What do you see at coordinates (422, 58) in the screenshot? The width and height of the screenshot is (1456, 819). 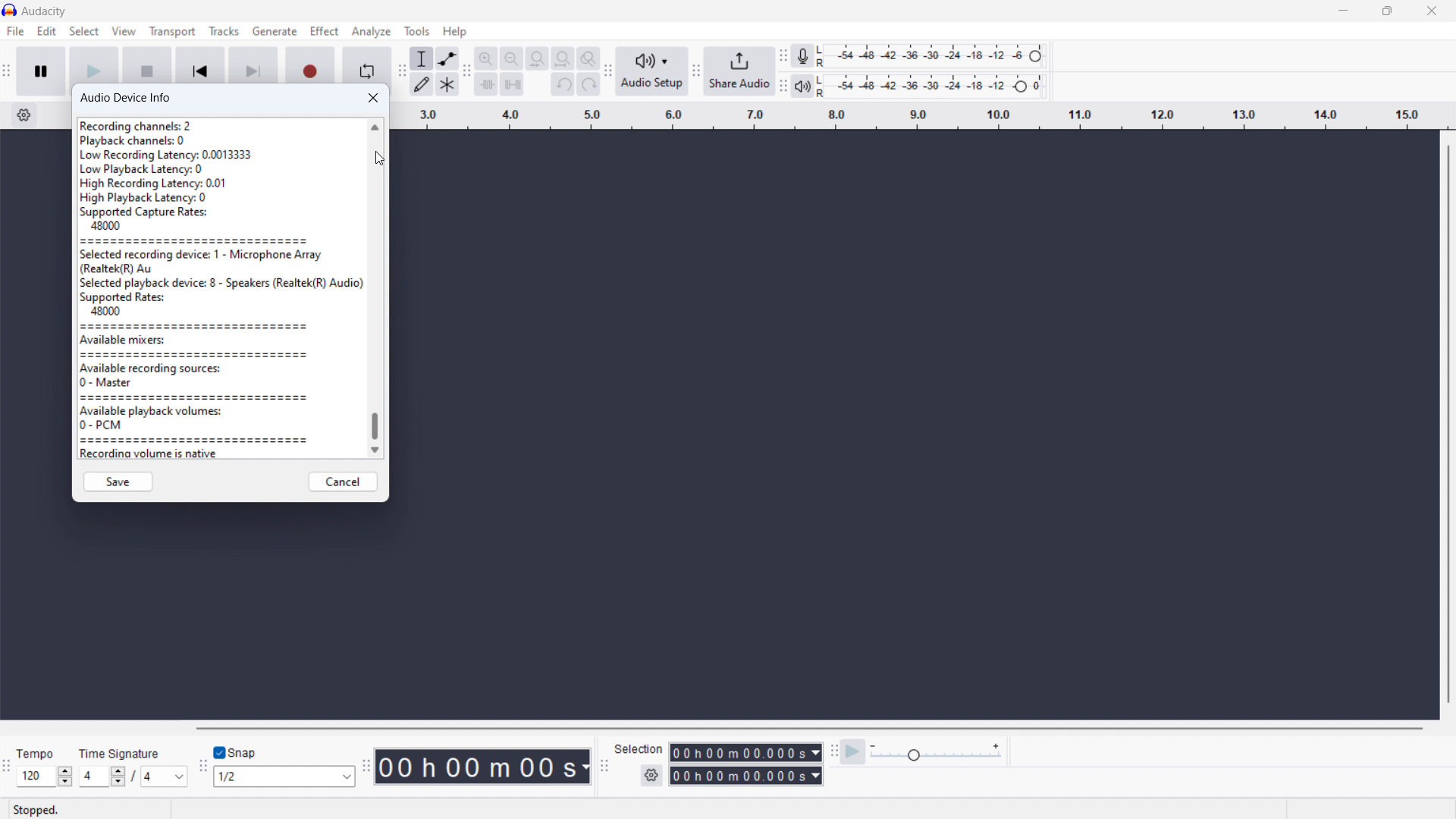 I see `selection tool` at bounding box center [422, 58].